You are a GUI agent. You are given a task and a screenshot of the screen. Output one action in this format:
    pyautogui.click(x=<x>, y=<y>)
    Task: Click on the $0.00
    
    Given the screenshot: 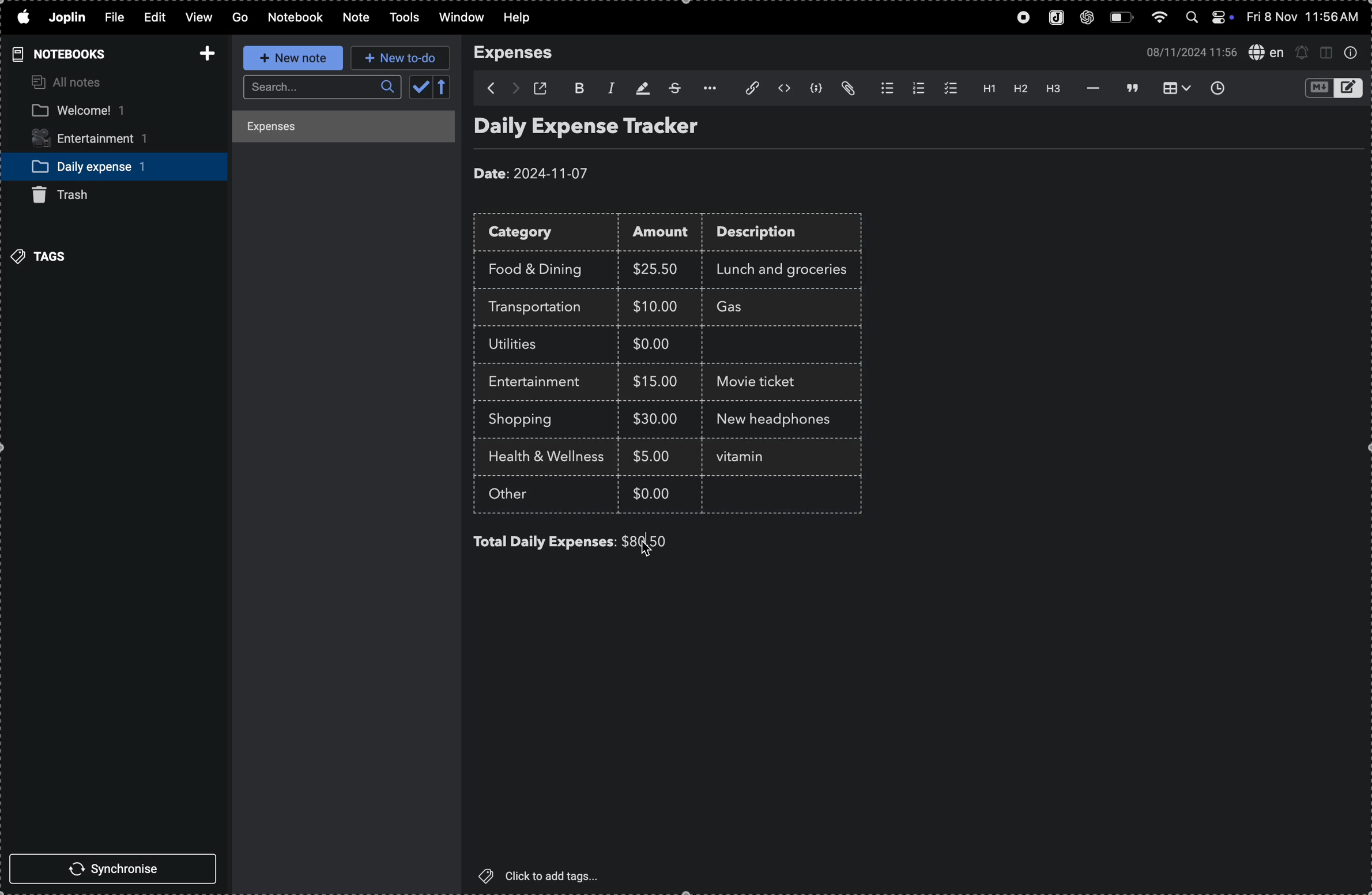 What is the action you would take?
    pyautogui.click(x=659, y=346)
    